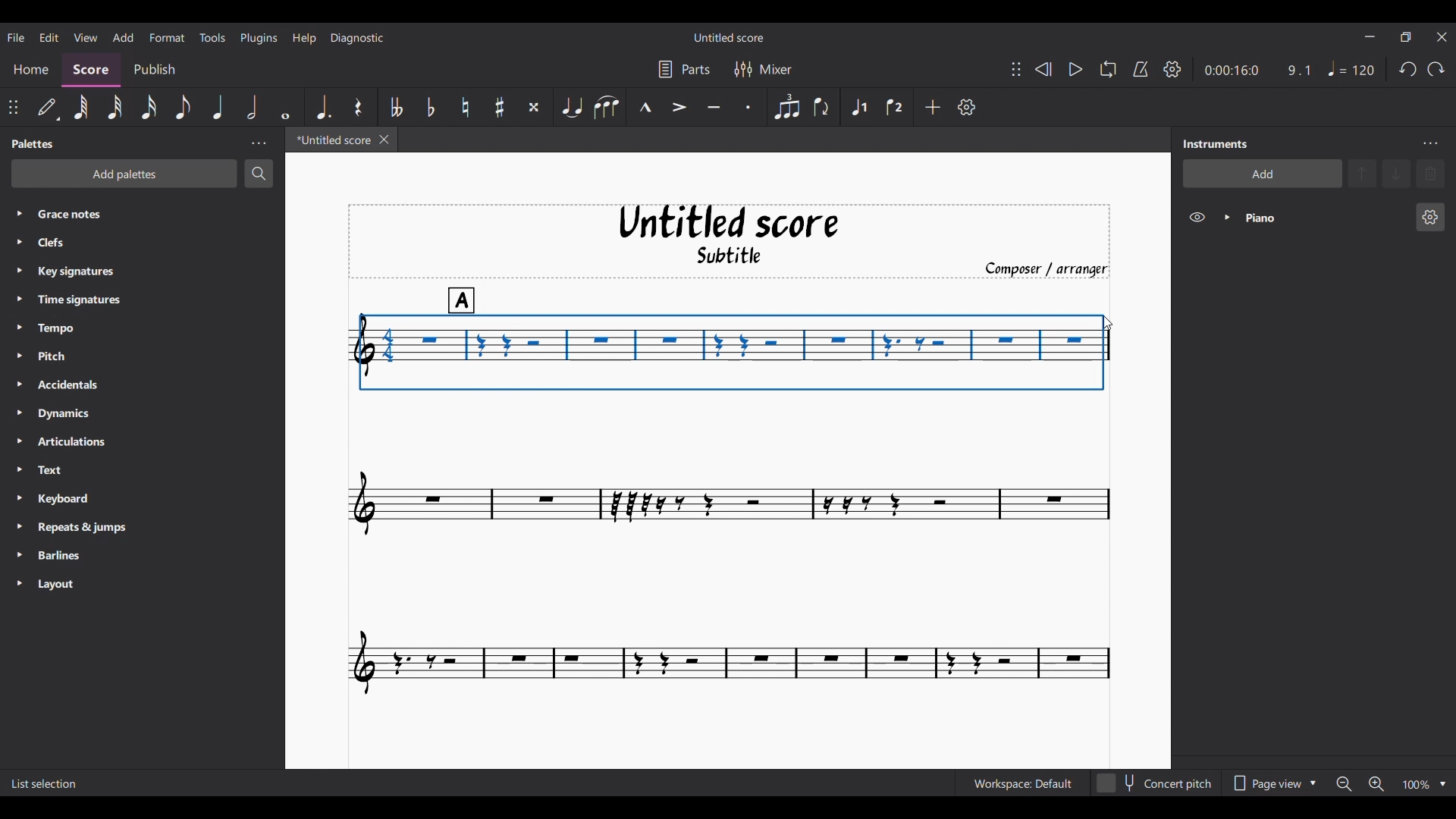 The width and height of the screenshot is (1456, 819). I want to click on Flip direction, so click(821, 107).